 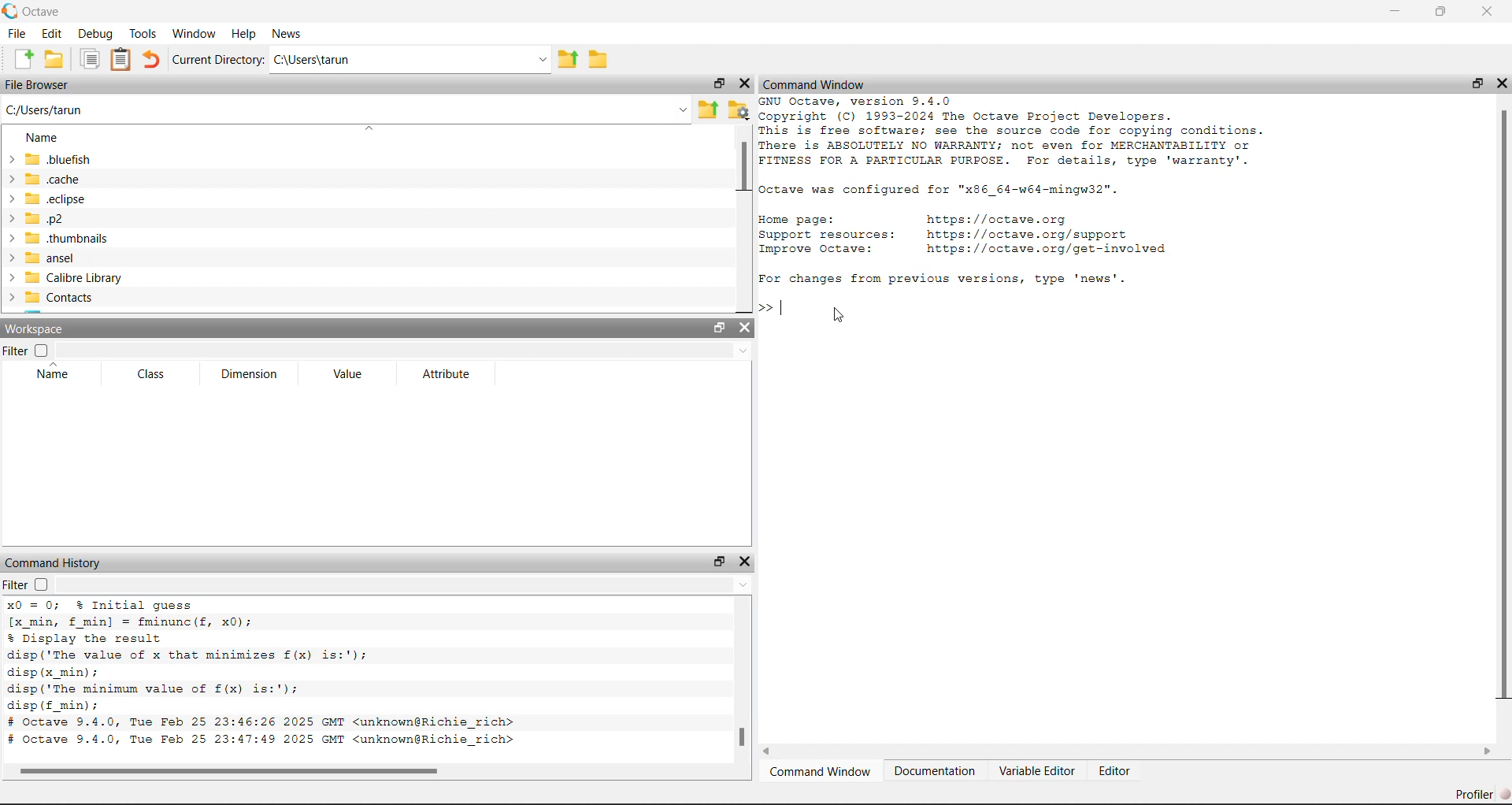 I want to click on Maximize/Restore, so click(x=717, y=80).